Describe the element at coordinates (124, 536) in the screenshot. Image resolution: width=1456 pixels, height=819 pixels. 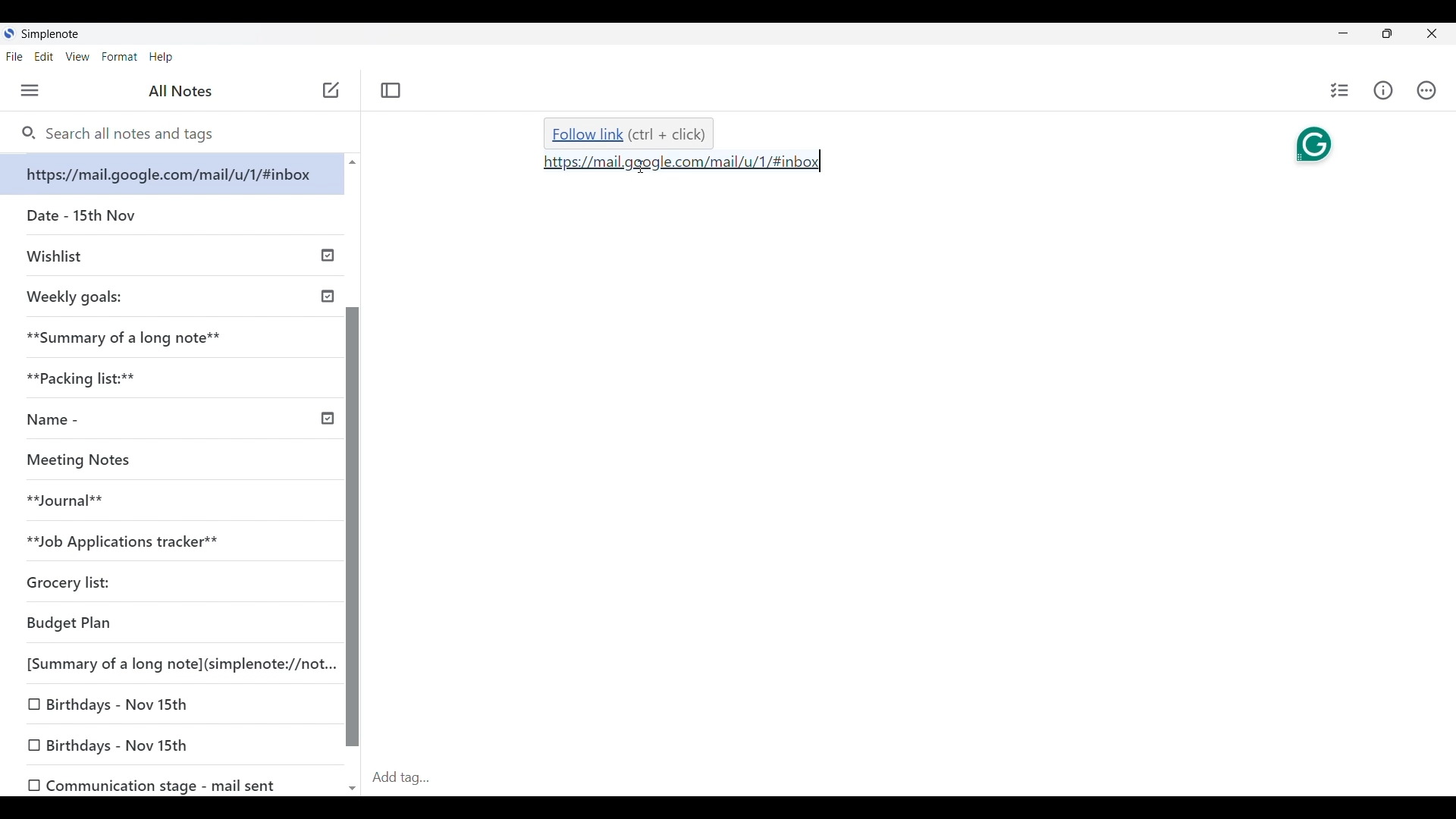
I see `**Job Applications tracke` at that location.